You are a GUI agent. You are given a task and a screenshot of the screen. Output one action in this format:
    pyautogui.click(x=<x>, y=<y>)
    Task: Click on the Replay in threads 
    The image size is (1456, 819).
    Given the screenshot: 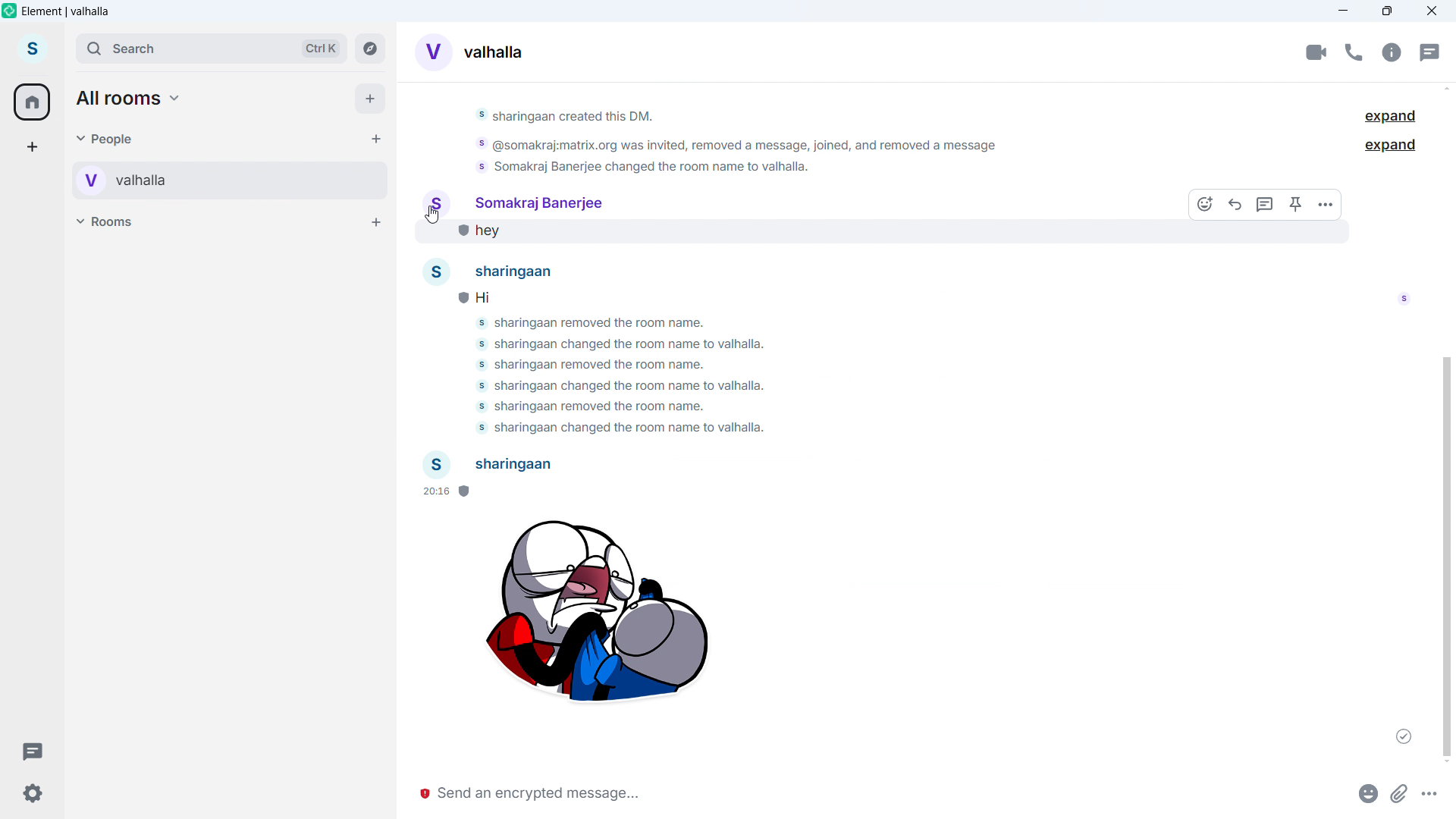 What is the action you would take?
    pyautogui.click(x=1266, y=204)
    